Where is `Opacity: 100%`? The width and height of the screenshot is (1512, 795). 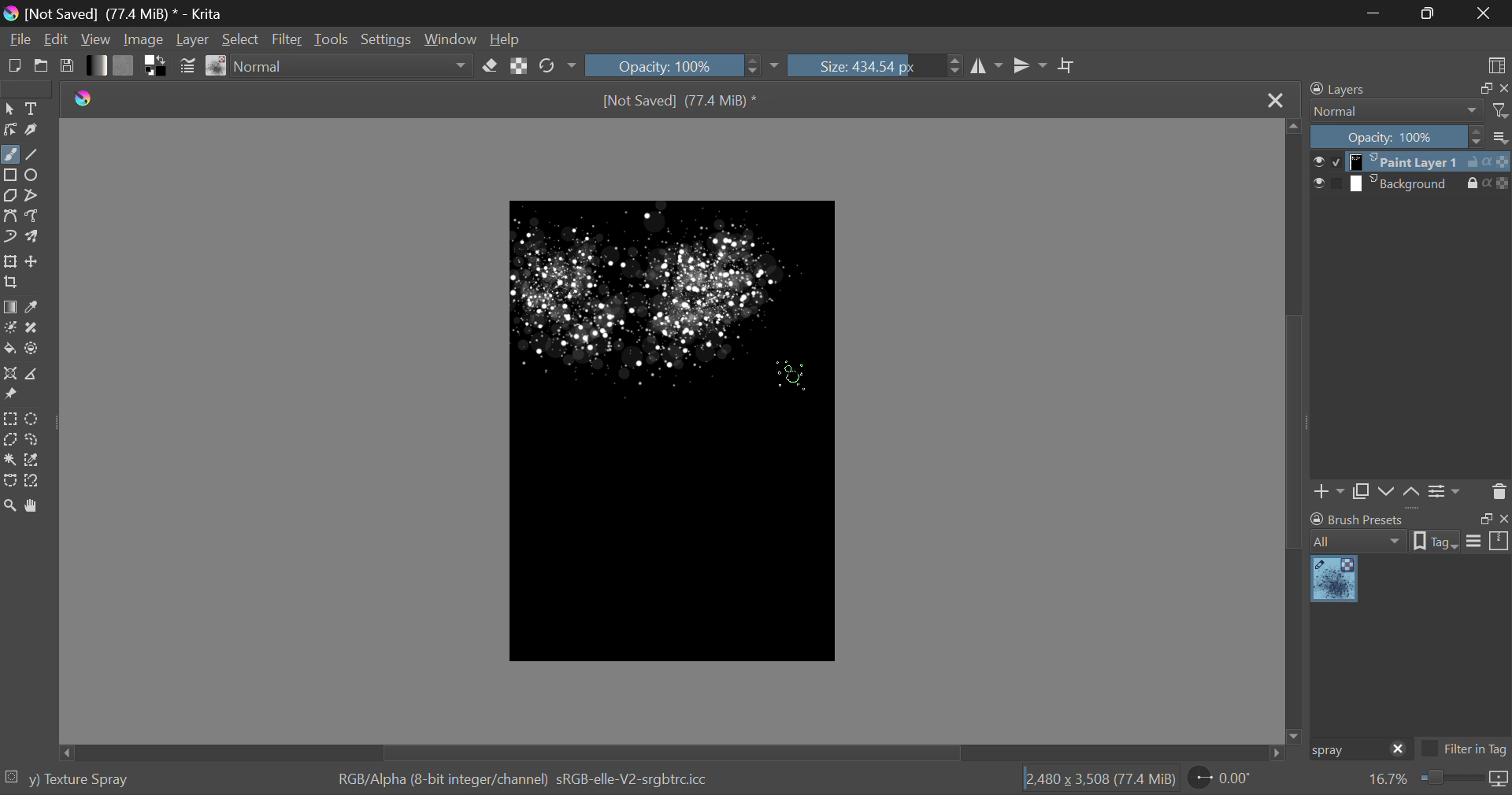 Opacity: 100% is located at coordinates (1397, 138).